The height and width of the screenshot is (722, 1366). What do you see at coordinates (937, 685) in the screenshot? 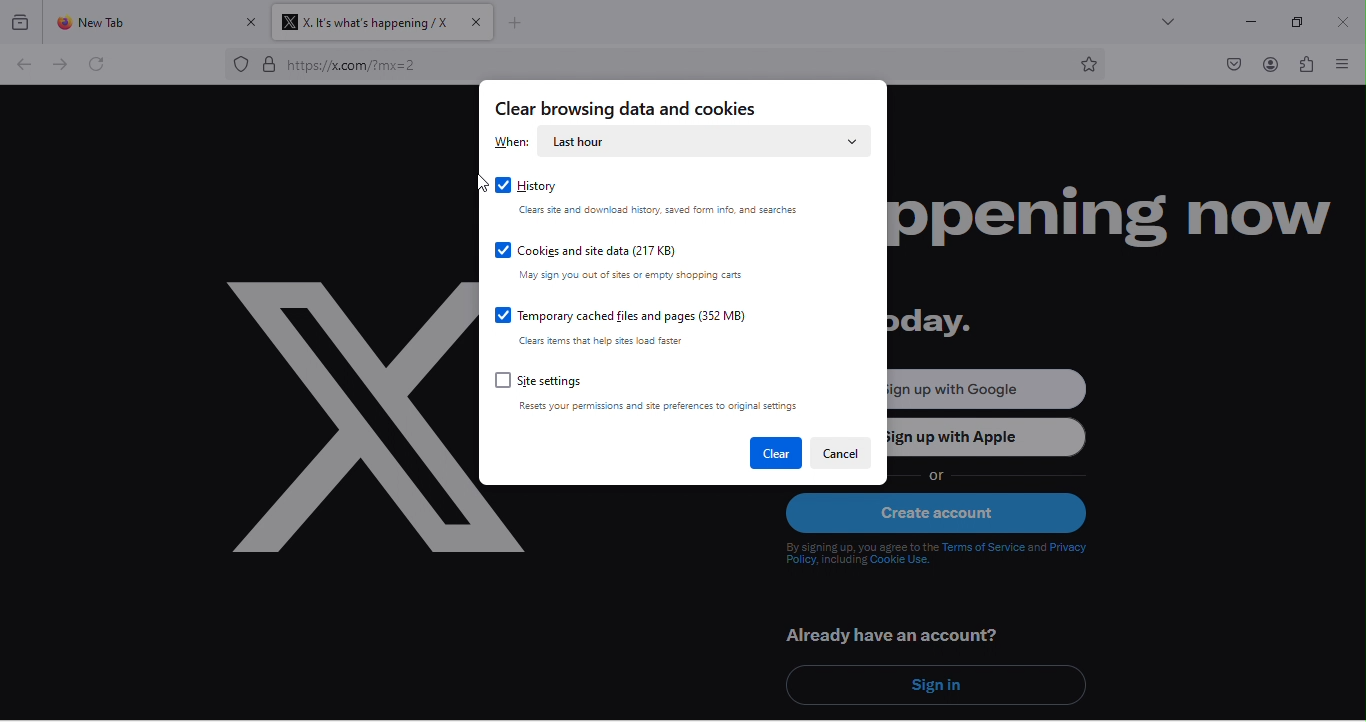
I see `sign in` at bounding box center [937, 685].